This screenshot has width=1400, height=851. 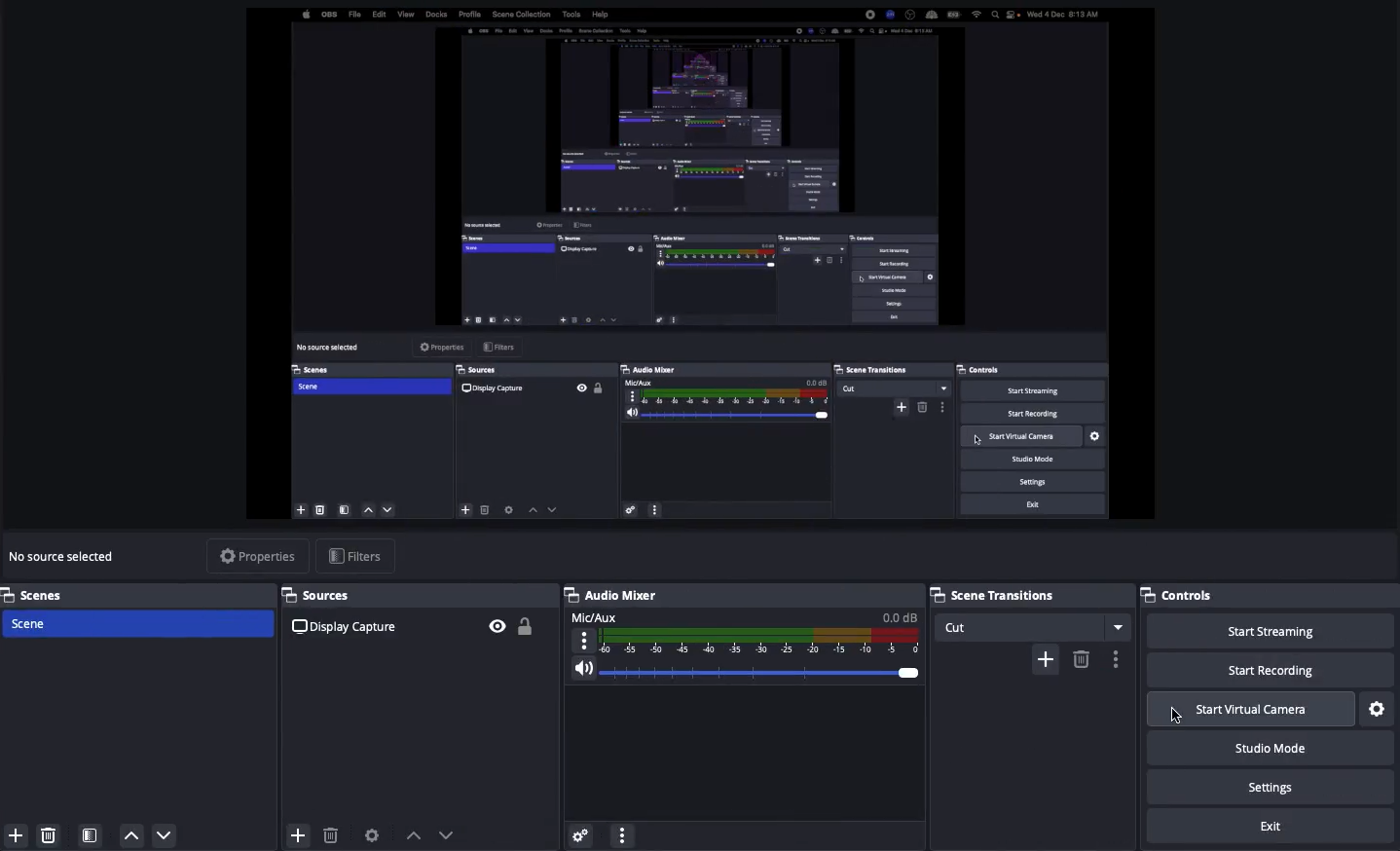 I want to click on Start streaming, so click(x=1274, y=632).